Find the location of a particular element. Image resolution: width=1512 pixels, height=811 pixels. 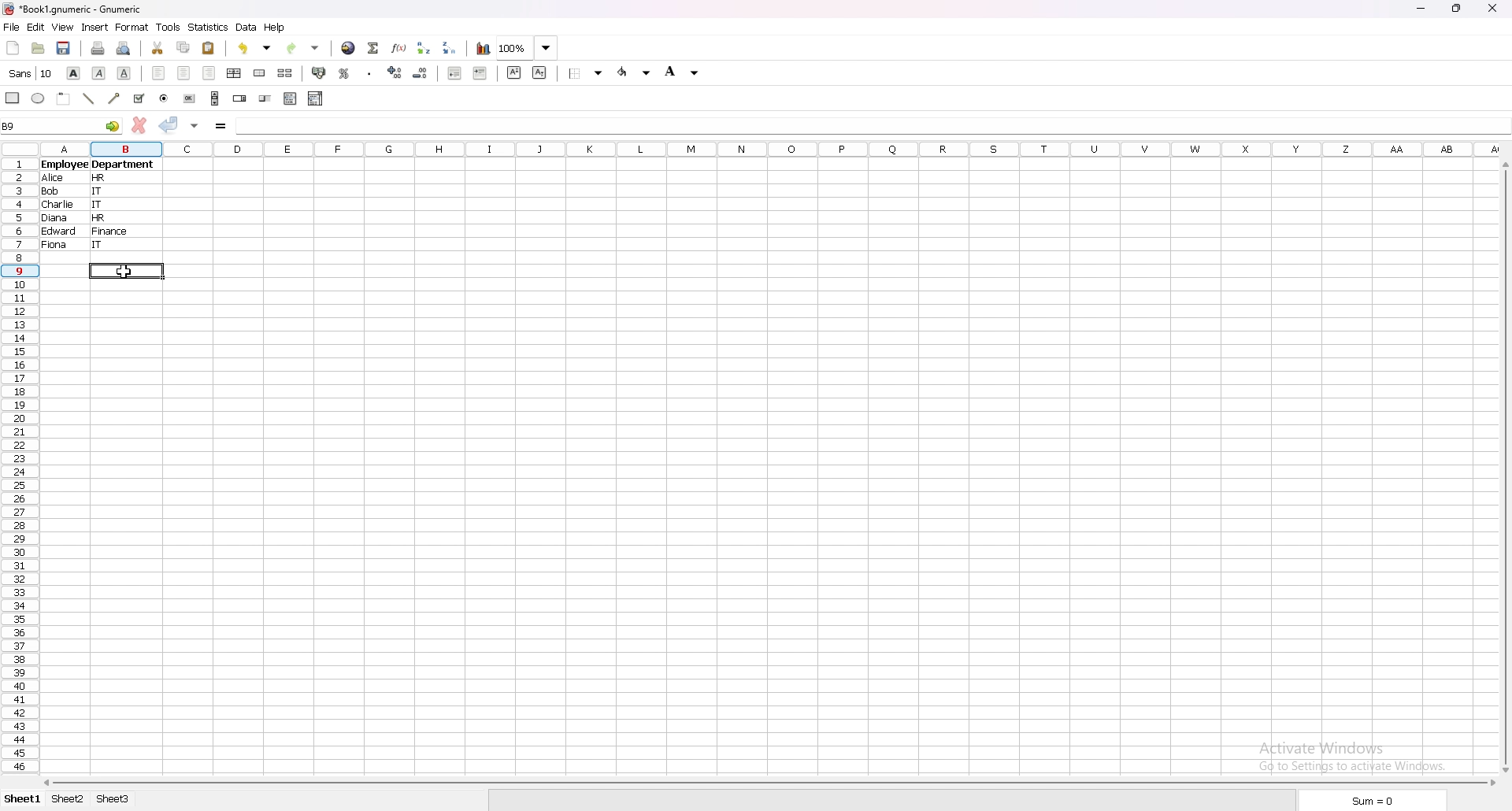

split merged cells is located at coordinates (286, 72).